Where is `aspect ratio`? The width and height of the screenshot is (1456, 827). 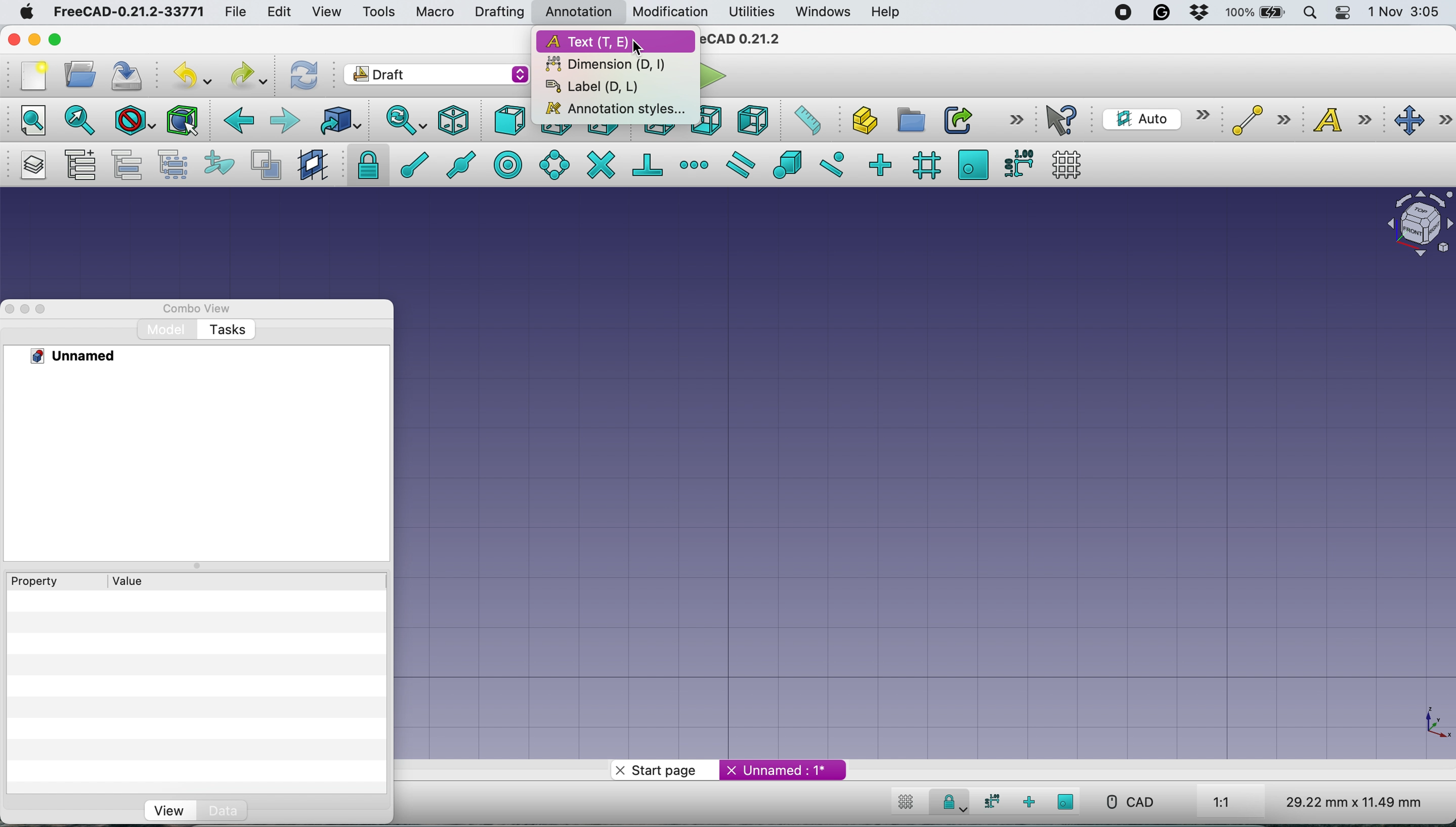
aspect ratio is located at coordinates (1233, 800).